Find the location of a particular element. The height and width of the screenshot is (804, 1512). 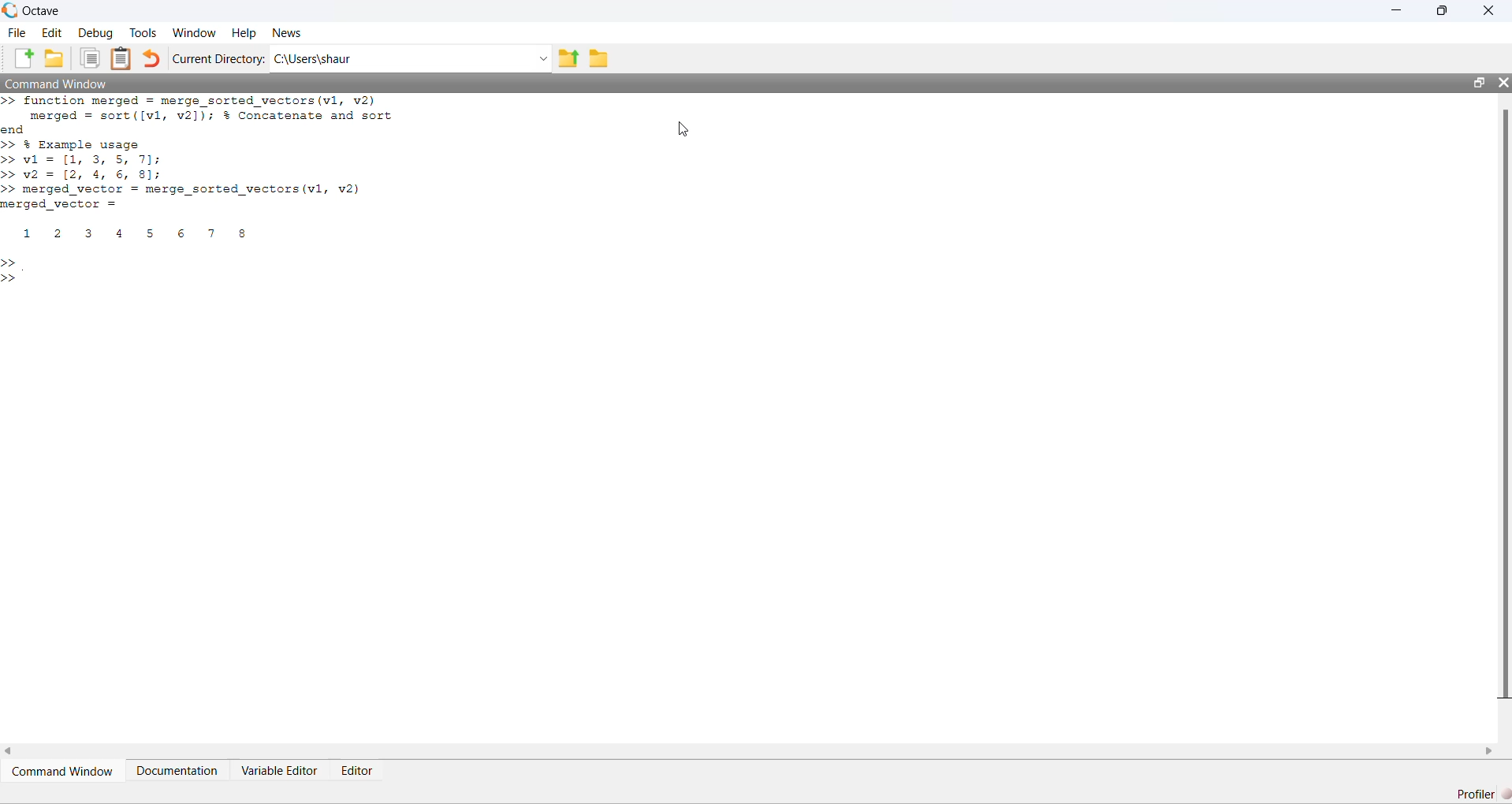

add folder is located at coordinates (54, 58).